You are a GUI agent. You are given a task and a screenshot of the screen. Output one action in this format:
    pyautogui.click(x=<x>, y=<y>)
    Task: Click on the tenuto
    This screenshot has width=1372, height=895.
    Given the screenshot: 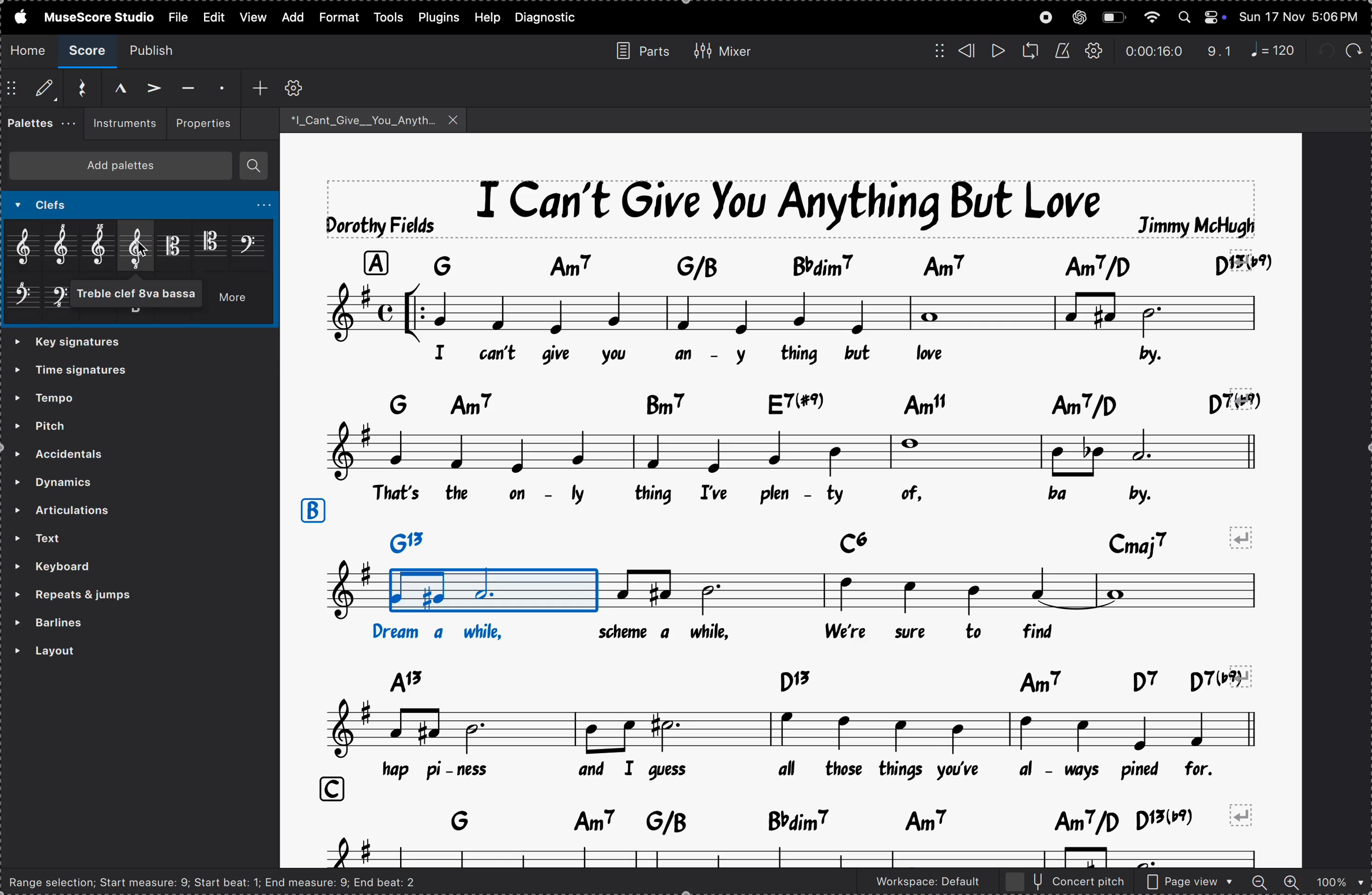 What is the action you would take?
    pyautogui.click(x=186, y=88)
    